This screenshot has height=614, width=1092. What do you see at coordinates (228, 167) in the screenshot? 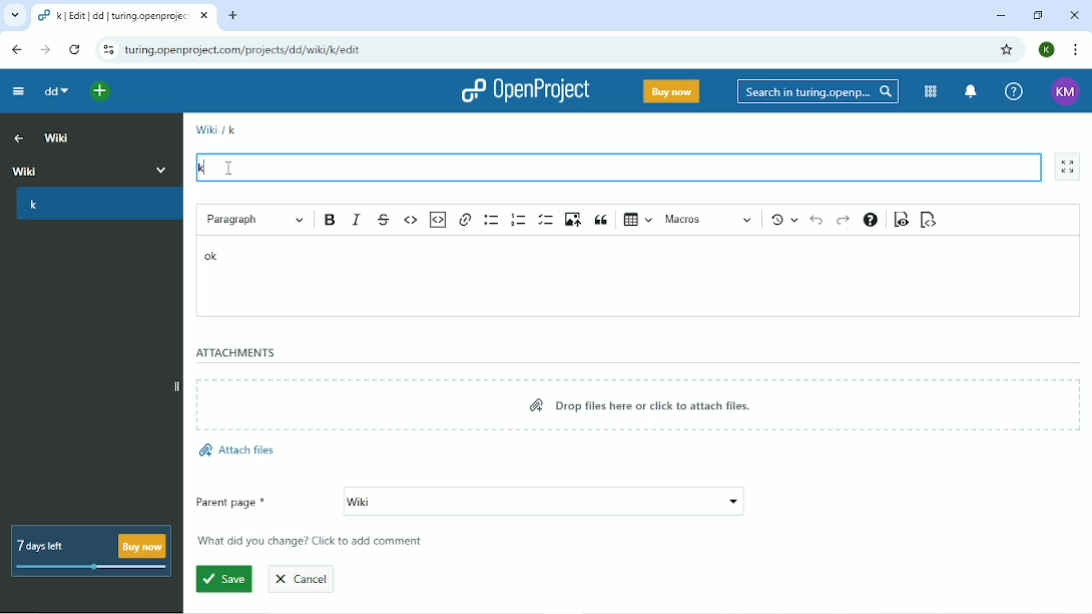
I see `Cursor` at bounding box center [228, 167].